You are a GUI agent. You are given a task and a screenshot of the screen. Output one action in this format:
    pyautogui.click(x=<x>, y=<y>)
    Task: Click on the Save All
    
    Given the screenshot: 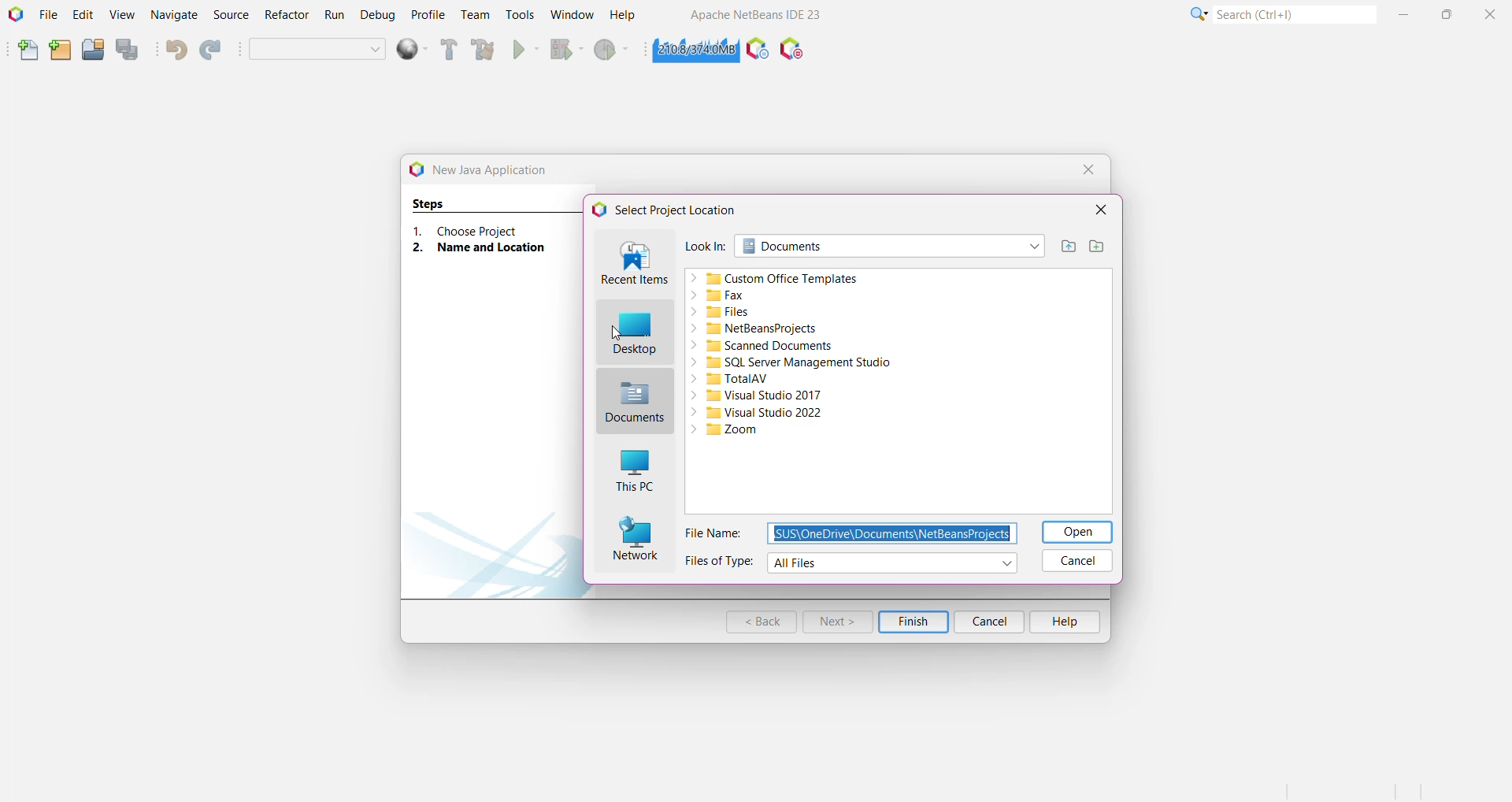 What is the action you would take?
    pyautogui.click(x=129, y=50)
    